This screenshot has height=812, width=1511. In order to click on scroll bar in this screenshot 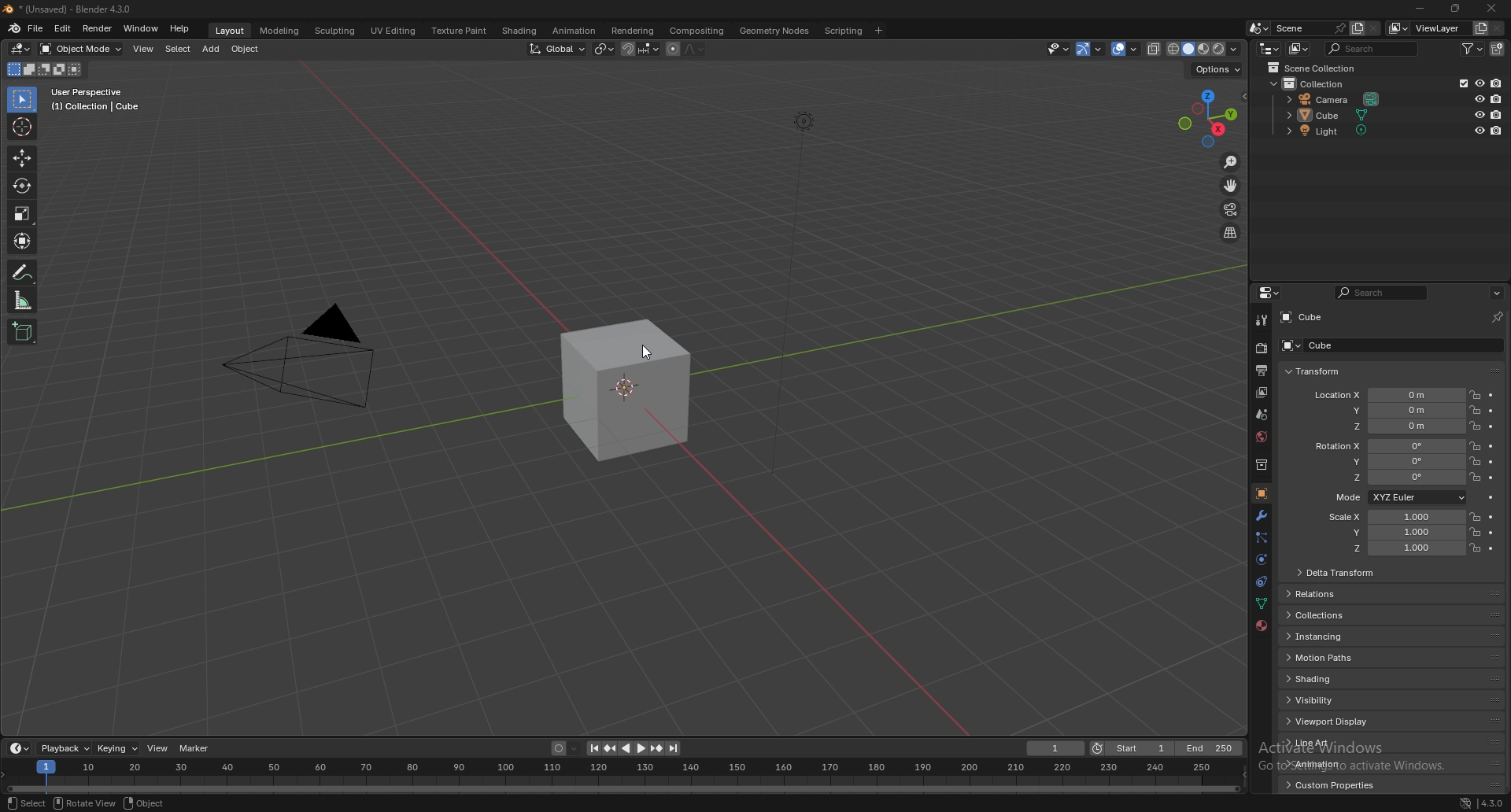, I will do `click(1508, 555)`.